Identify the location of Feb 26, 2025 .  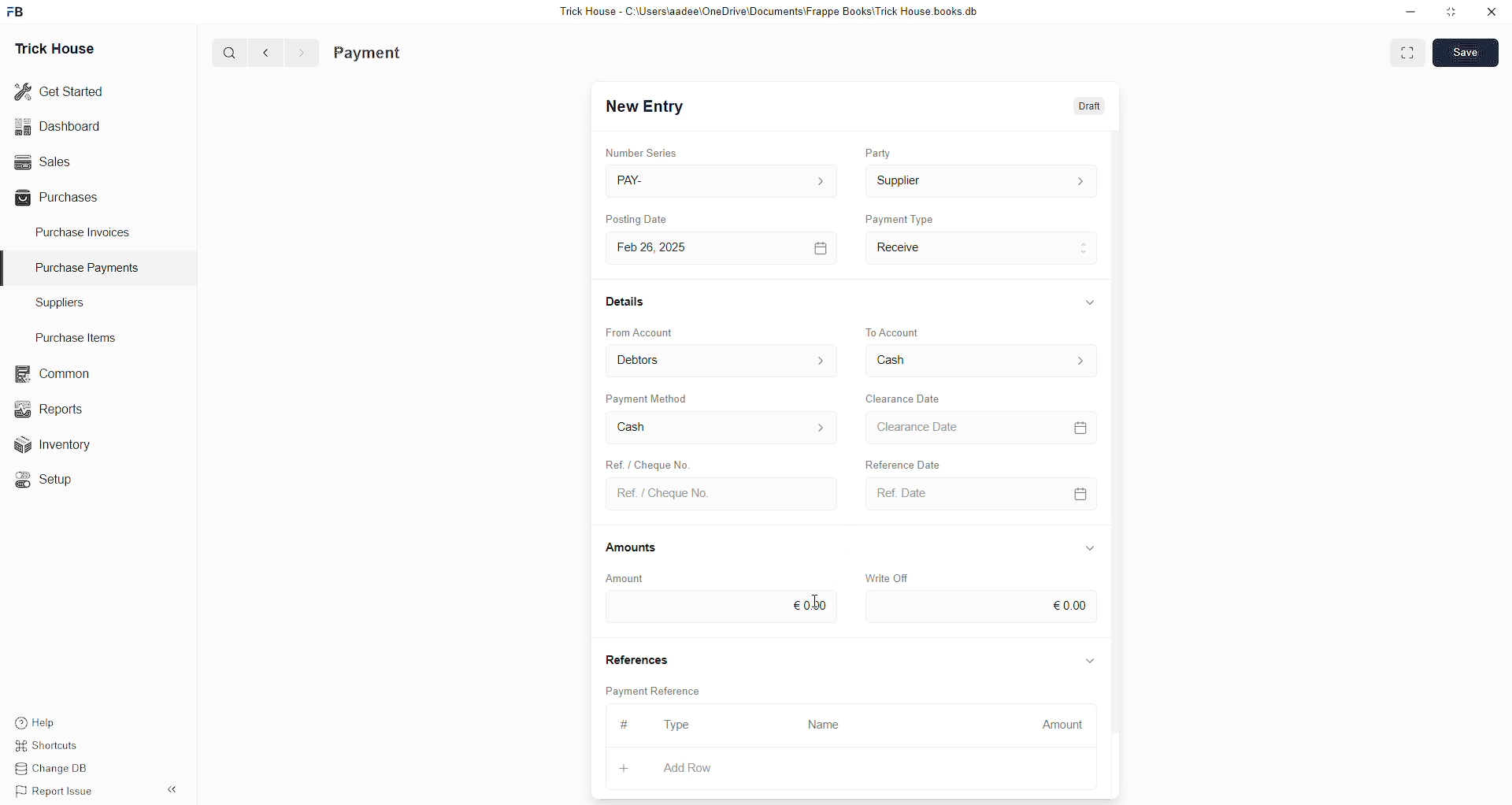
(719, 247).